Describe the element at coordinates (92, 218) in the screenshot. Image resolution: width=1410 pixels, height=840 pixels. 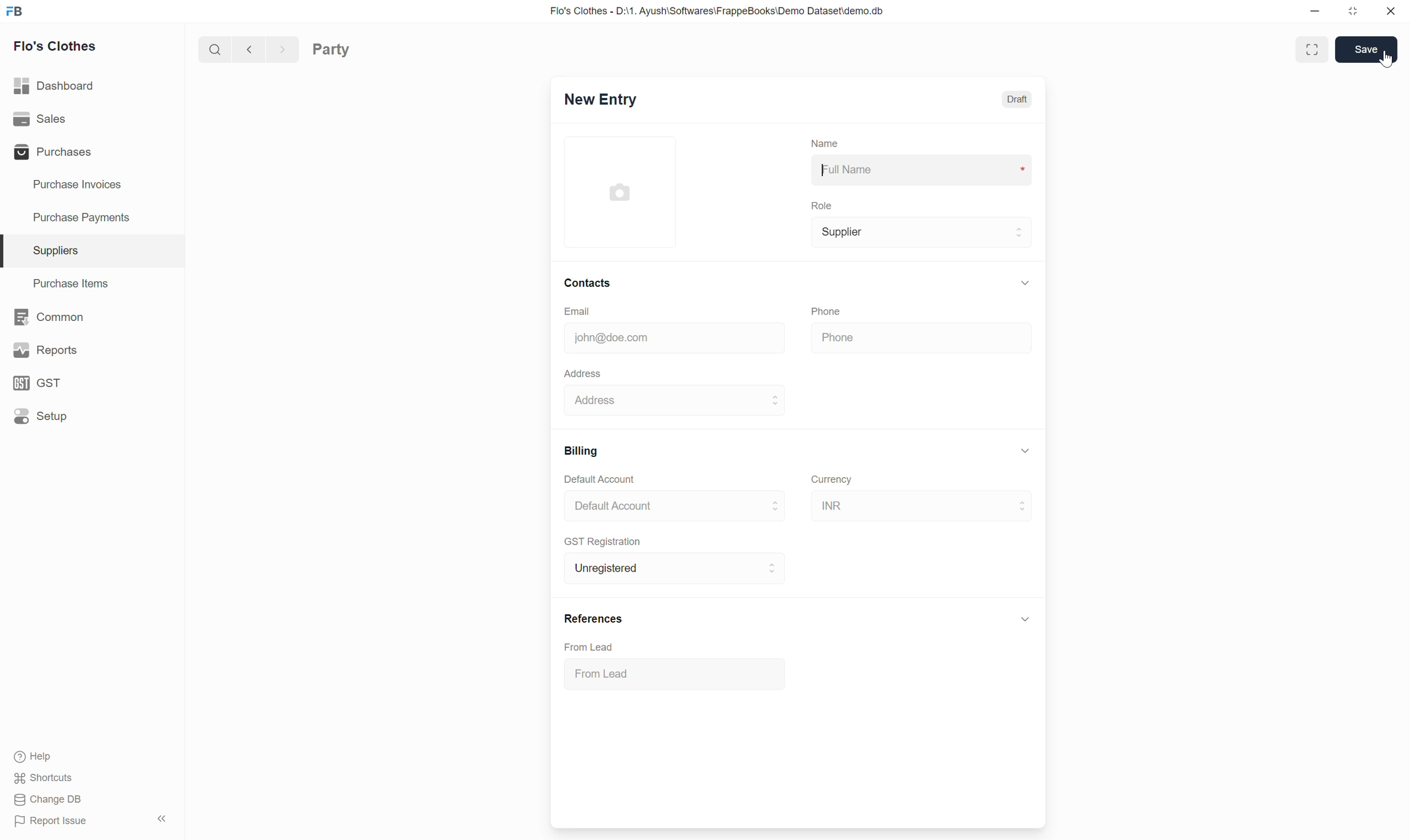
I see `Purchase Payments` at that location.